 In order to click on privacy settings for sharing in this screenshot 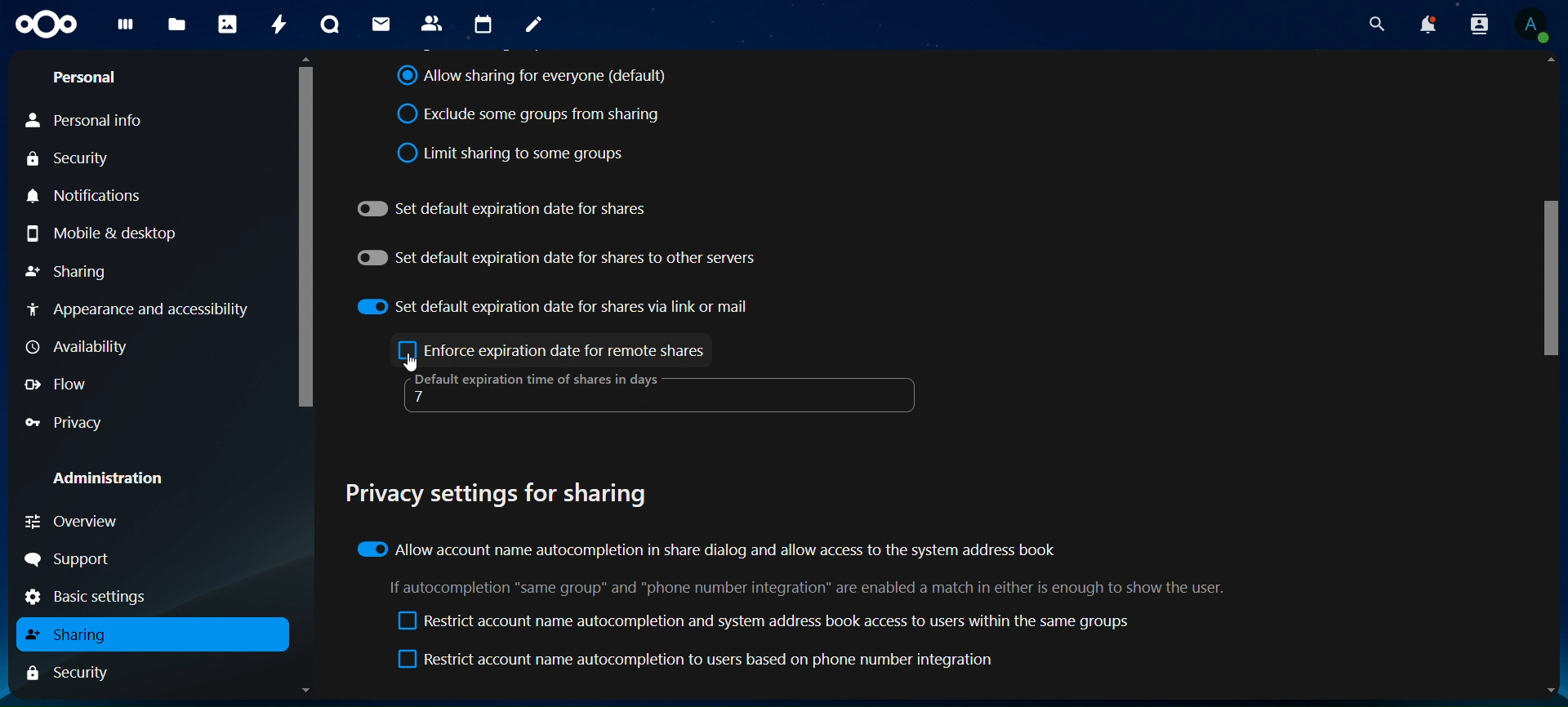, I will do `click(506, 491)`.